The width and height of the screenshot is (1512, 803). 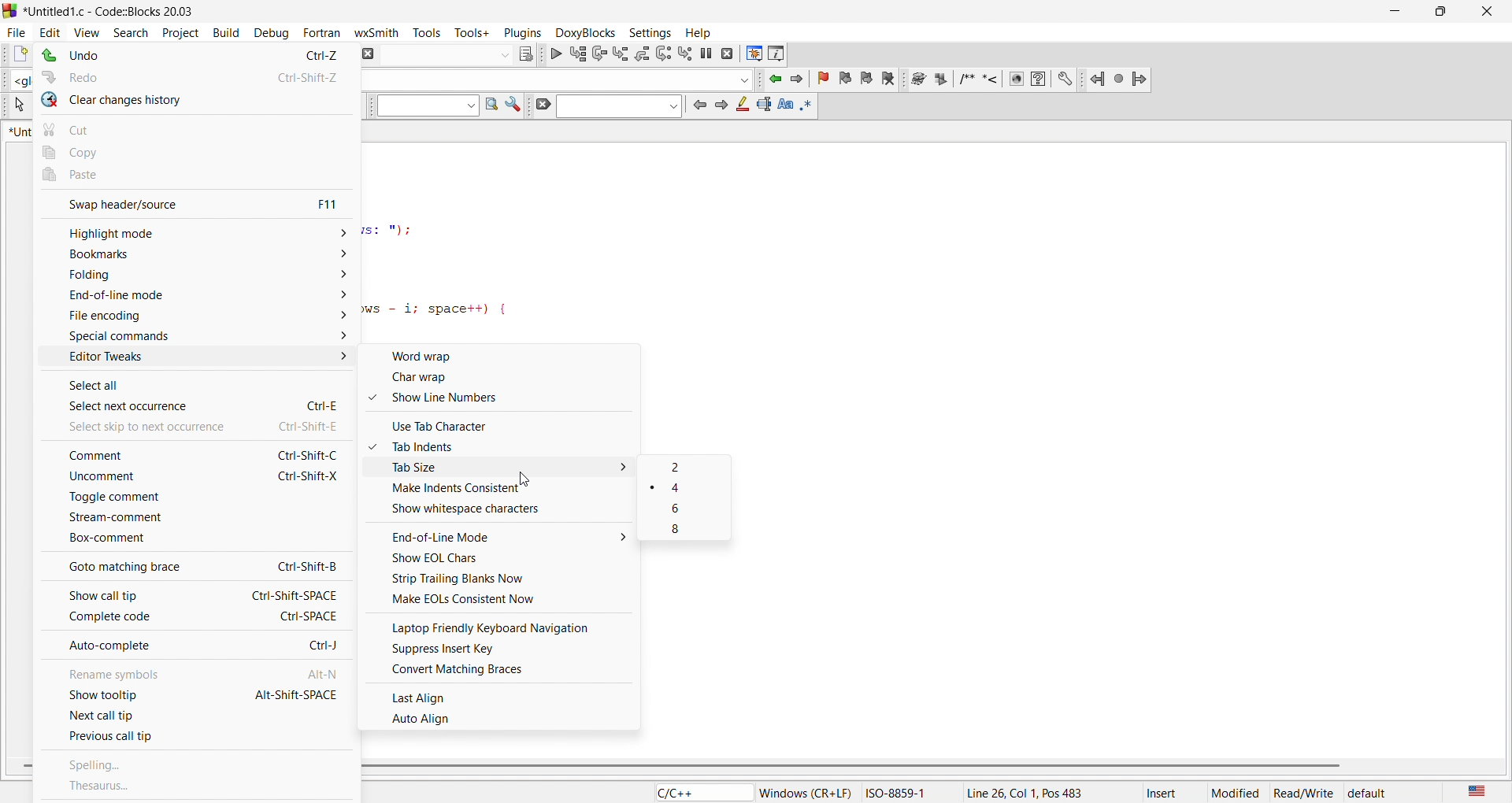 I want to click on rename symbols , so click(x=145, y=671).